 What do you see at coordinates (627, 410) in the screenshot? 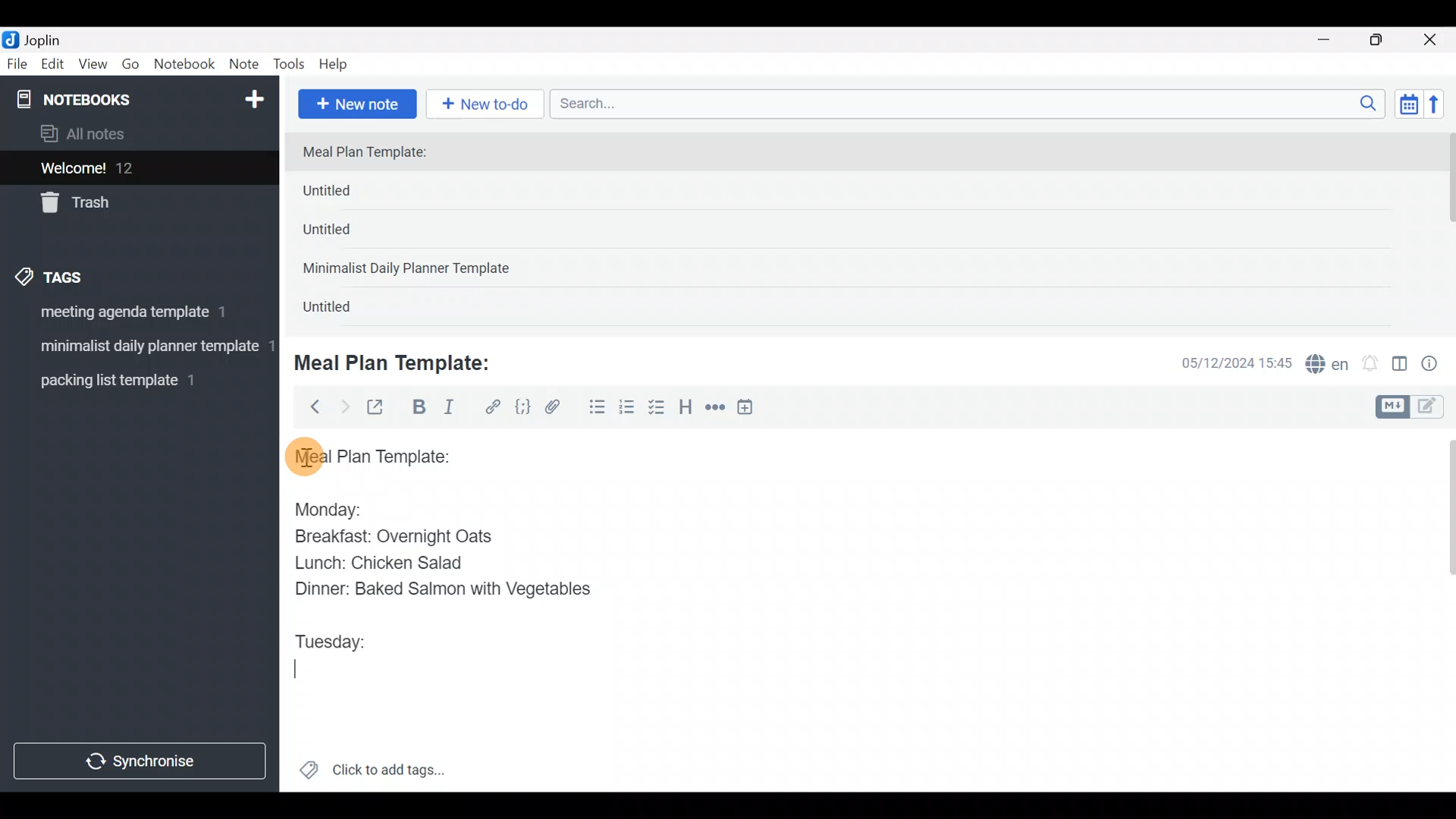
I see `Numbered list` at bounding box center [627, 410].